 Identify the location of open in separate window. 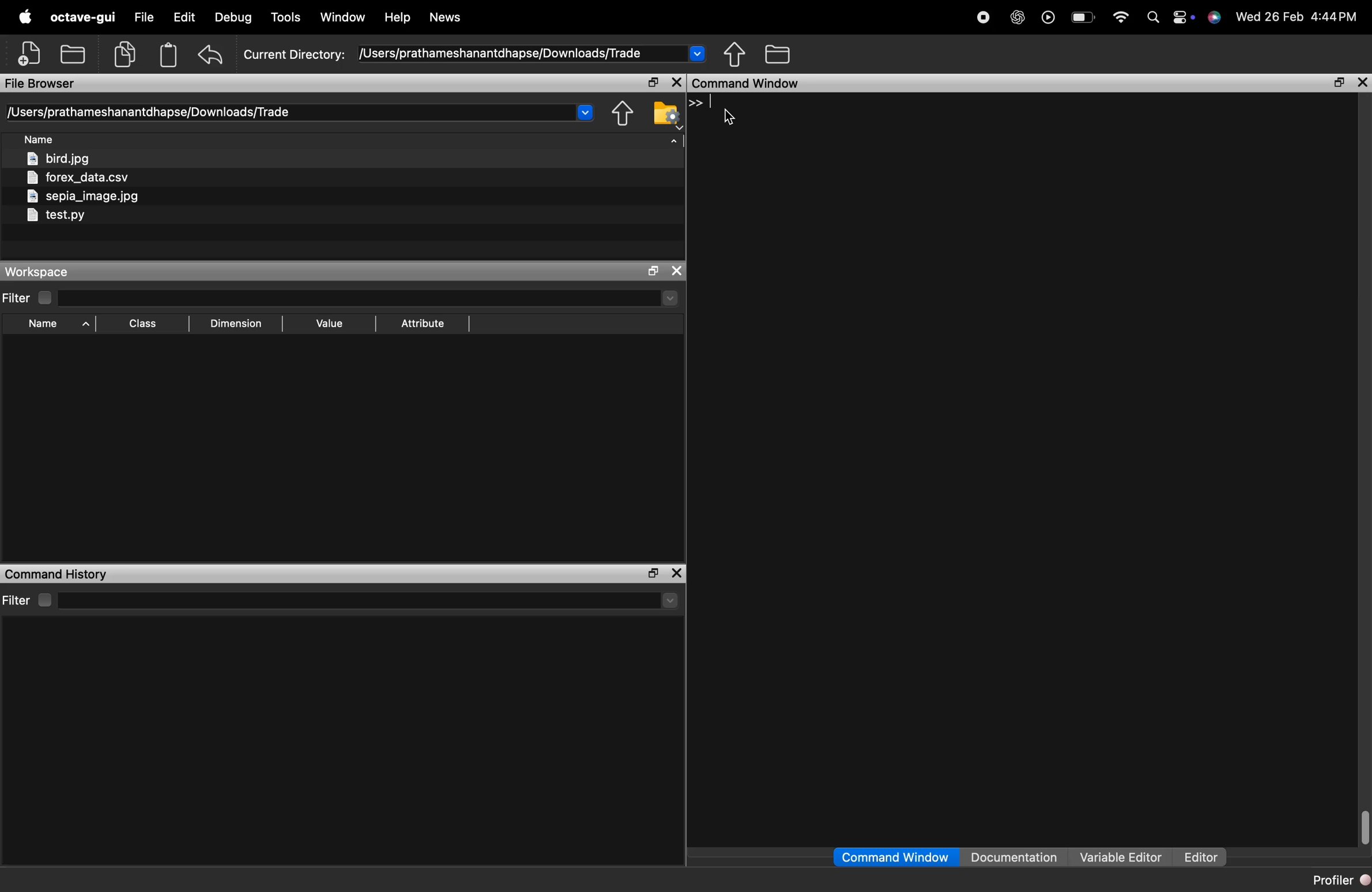
(1340, 84).